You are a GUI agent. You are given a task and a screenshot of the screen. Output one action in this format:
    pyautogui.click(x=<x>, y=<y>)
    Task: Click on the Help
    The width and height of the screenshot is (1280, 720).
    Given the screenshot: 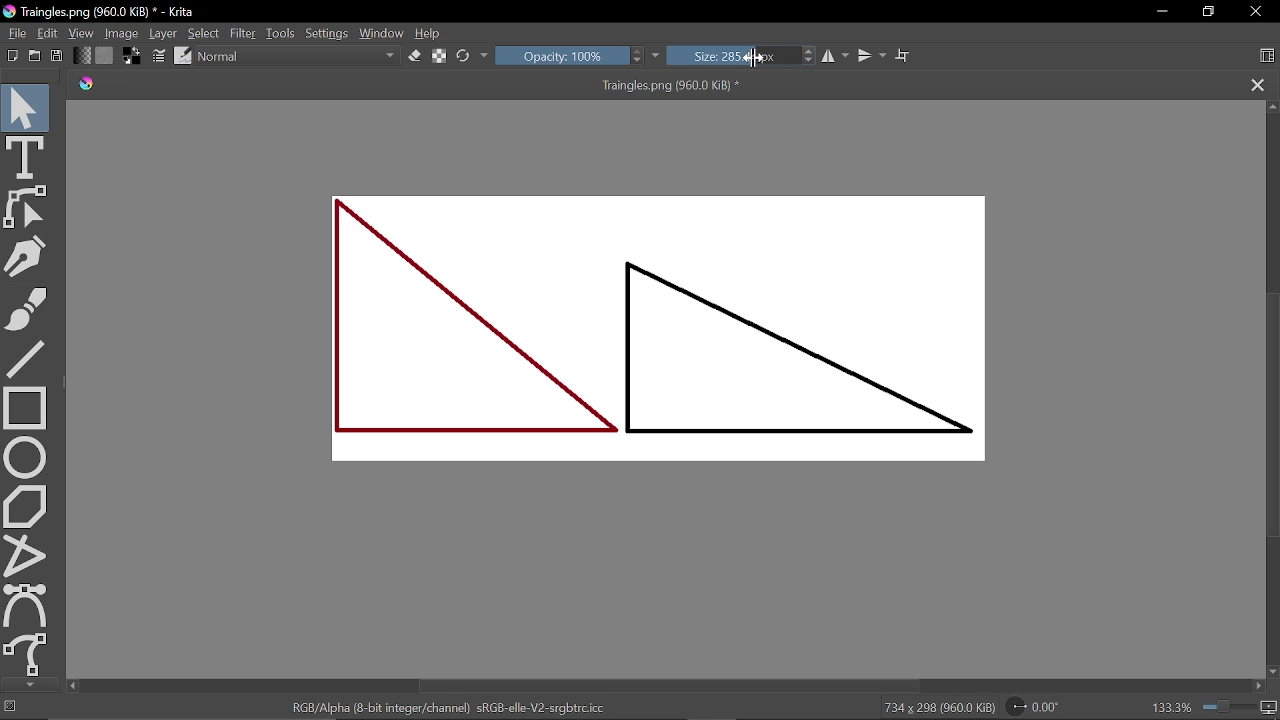 What is the action you would take?
    pyautogui.click(x=428, y=34)
    